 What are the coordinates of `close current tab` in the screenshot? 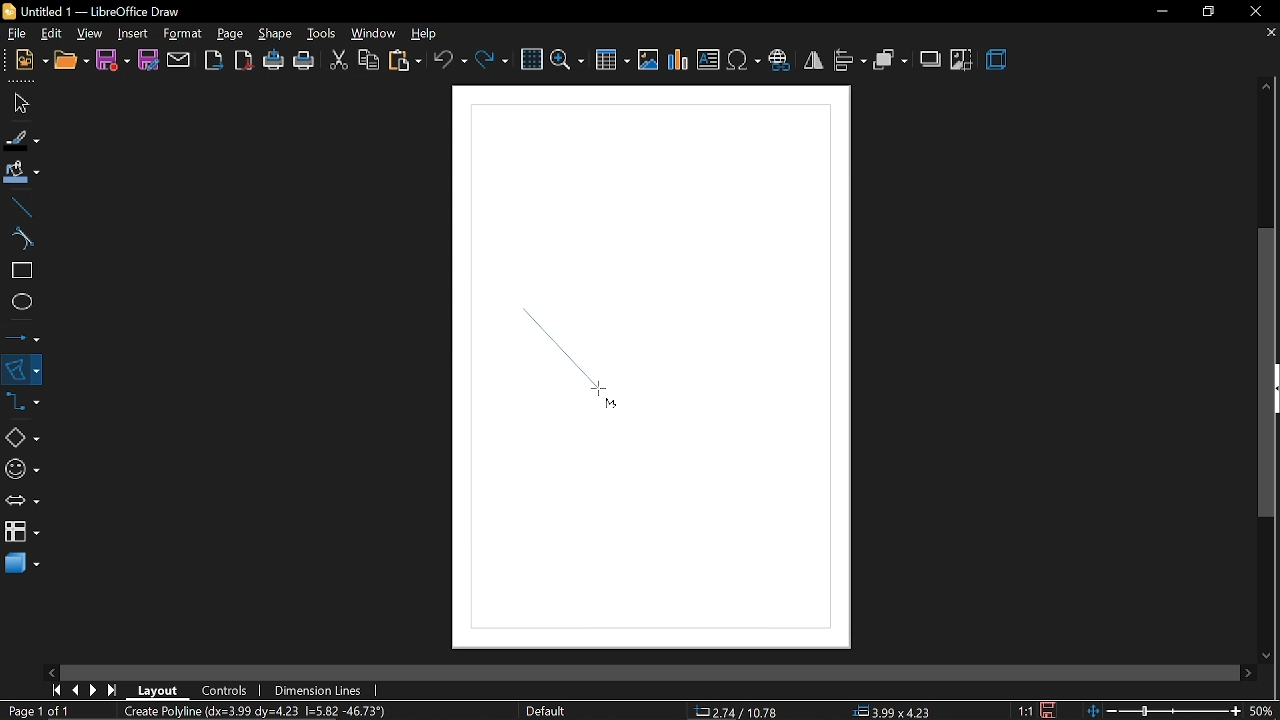 It's located at (1267, 34).